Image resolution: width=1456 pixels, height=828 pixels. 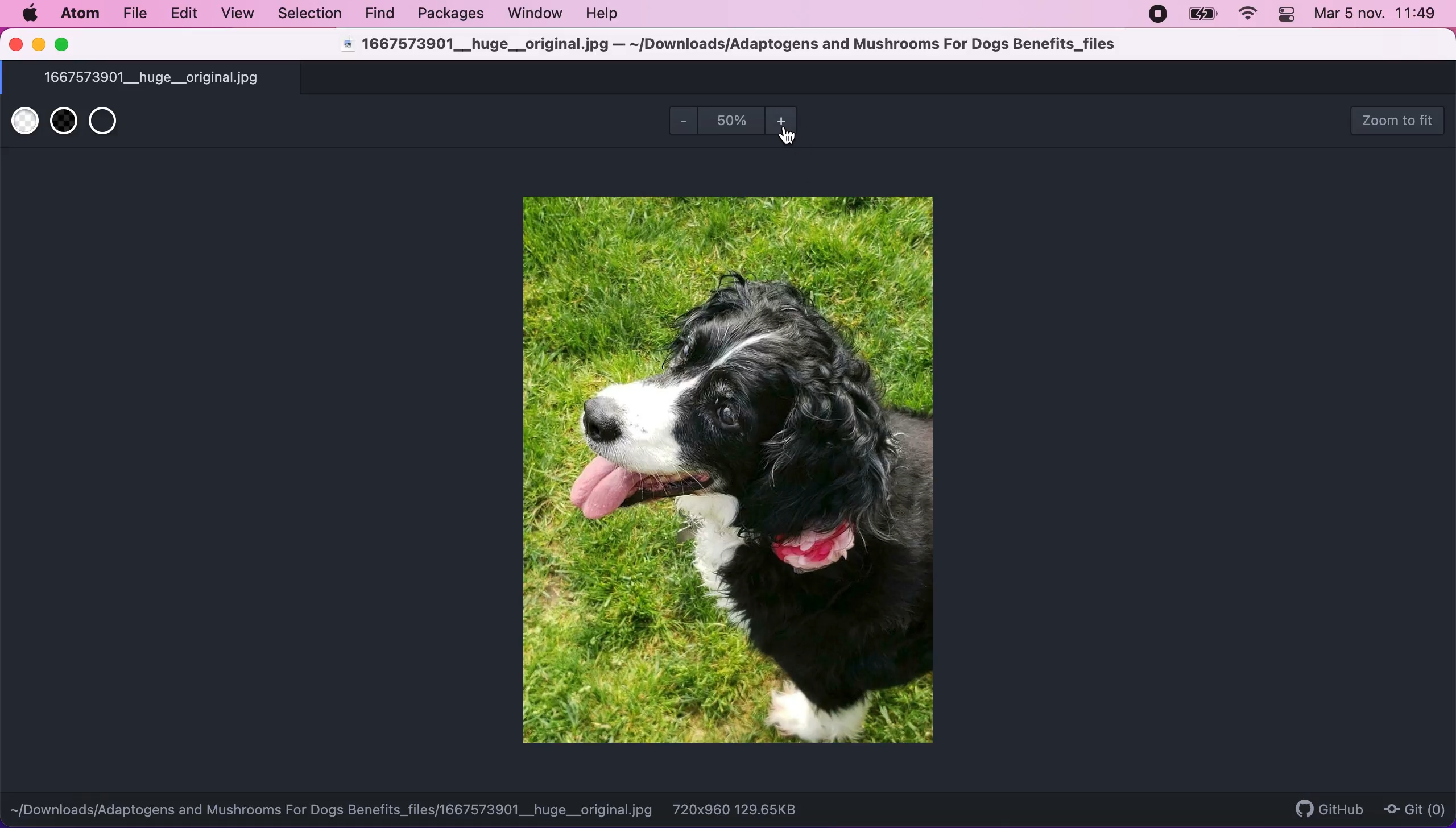 What do you see at coordinates (333, 807) in the screenshot?
I see `-/downloads/adaptogens and mushrooms for dog benefits_files/1667573901_huge_original.jpg` at bounding box center [333, 807].